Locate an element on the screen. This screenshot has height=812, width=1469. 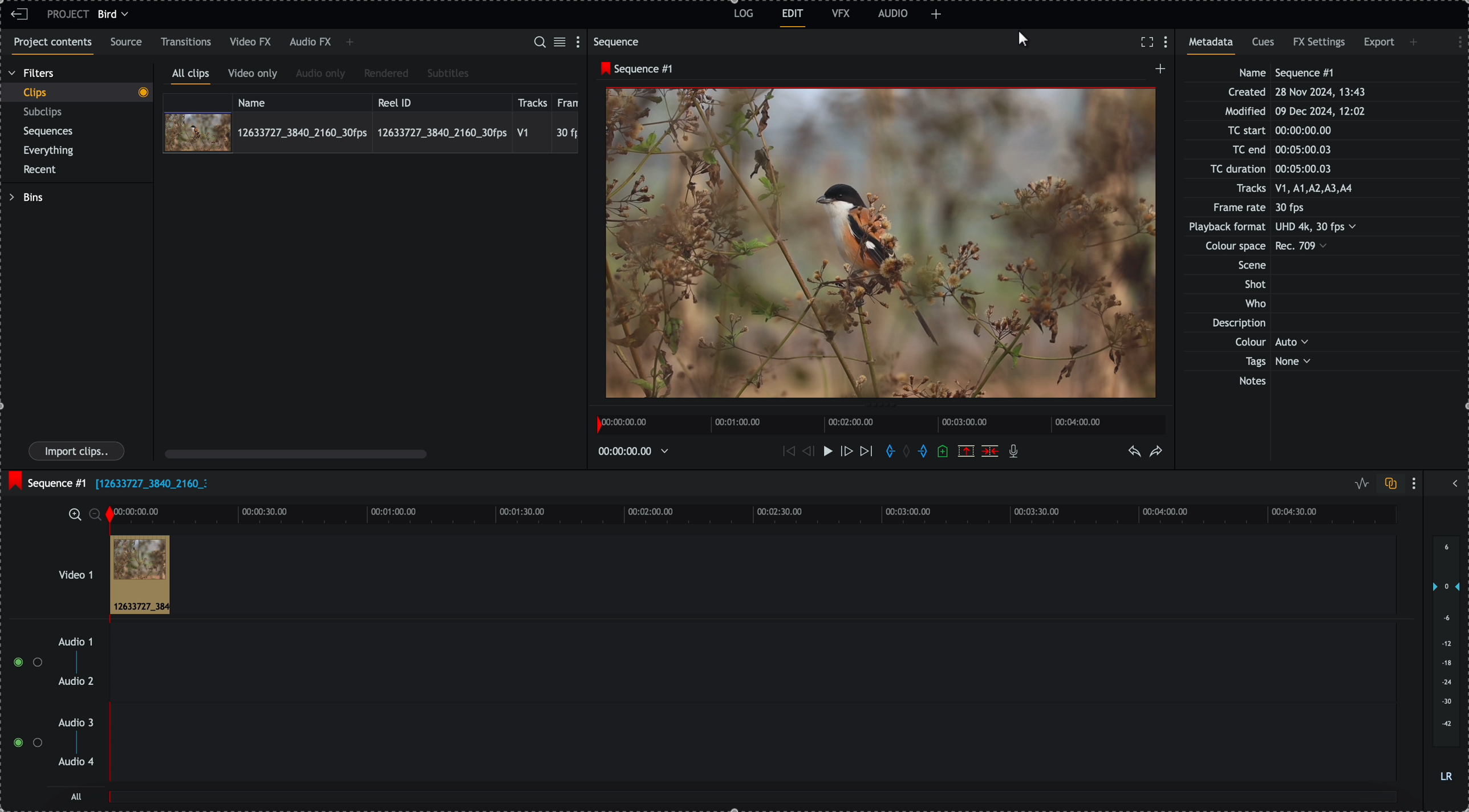
tracks is located at coordinates (533, 101).